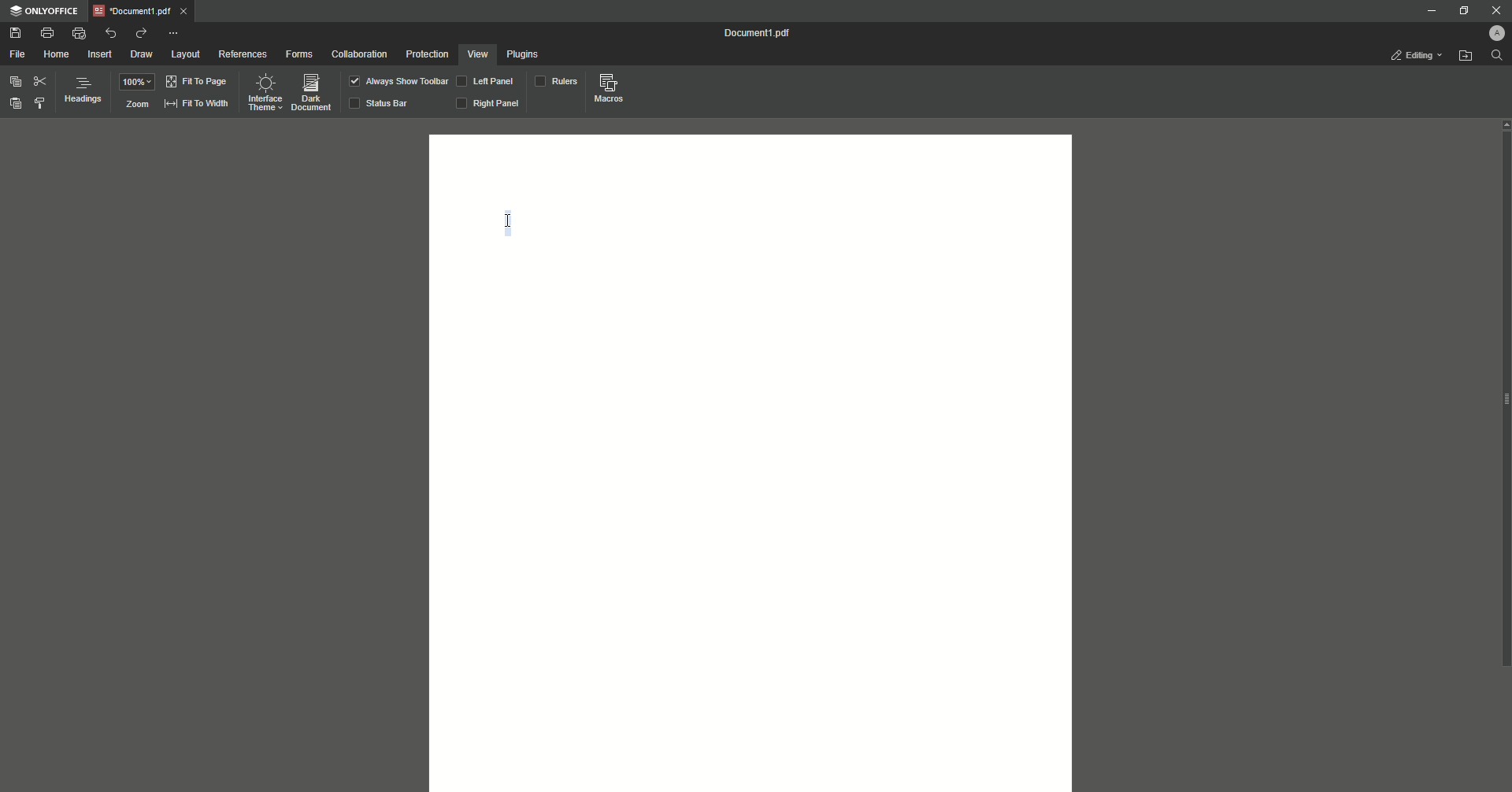 The image size is (1512, 792). What do you see at coordinates (136, 104) in the screenshot?
I see `Zoom` at bounding box center [136, 104].